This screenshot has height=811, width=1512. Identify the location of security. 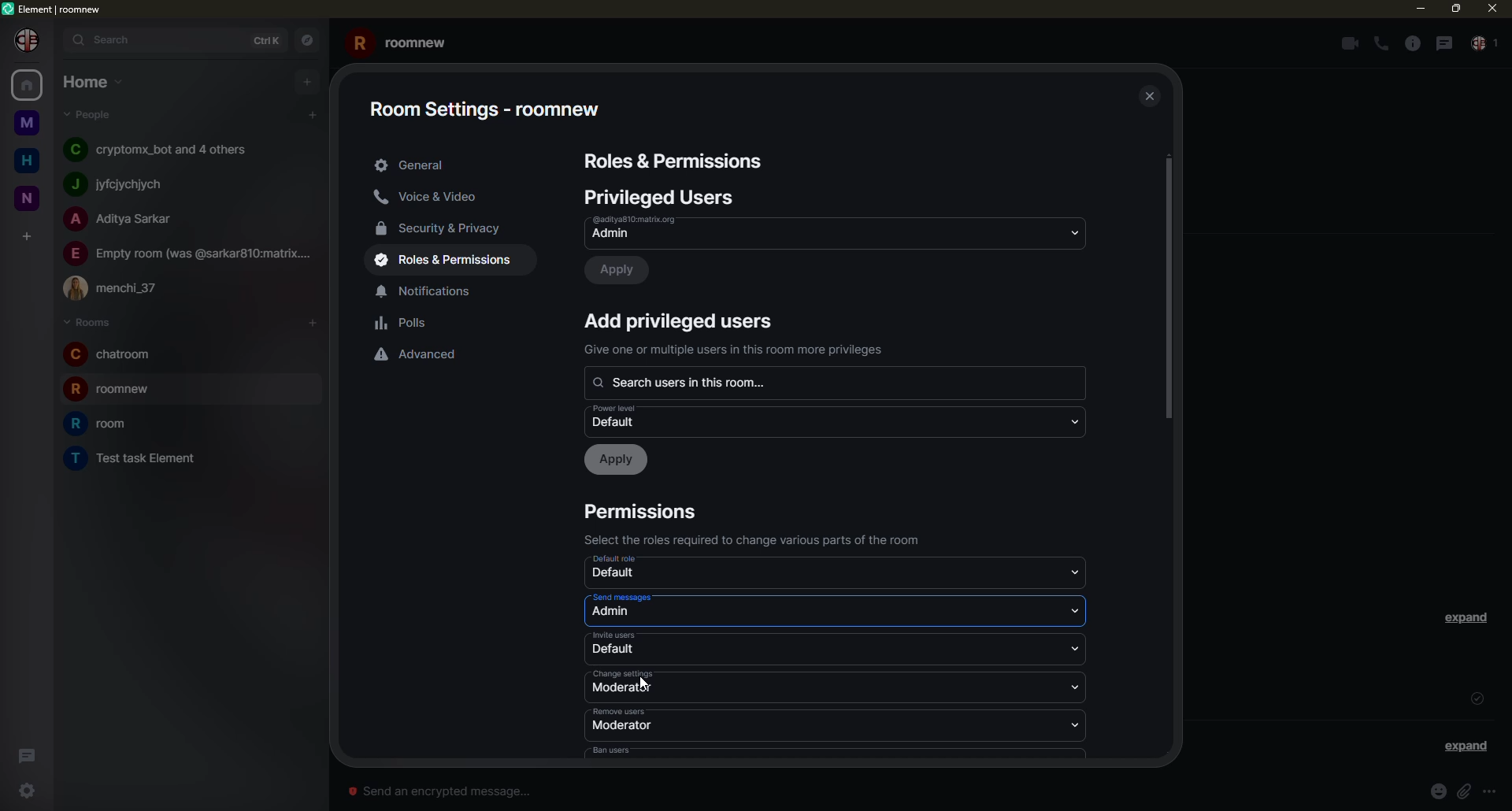
(447, 228).